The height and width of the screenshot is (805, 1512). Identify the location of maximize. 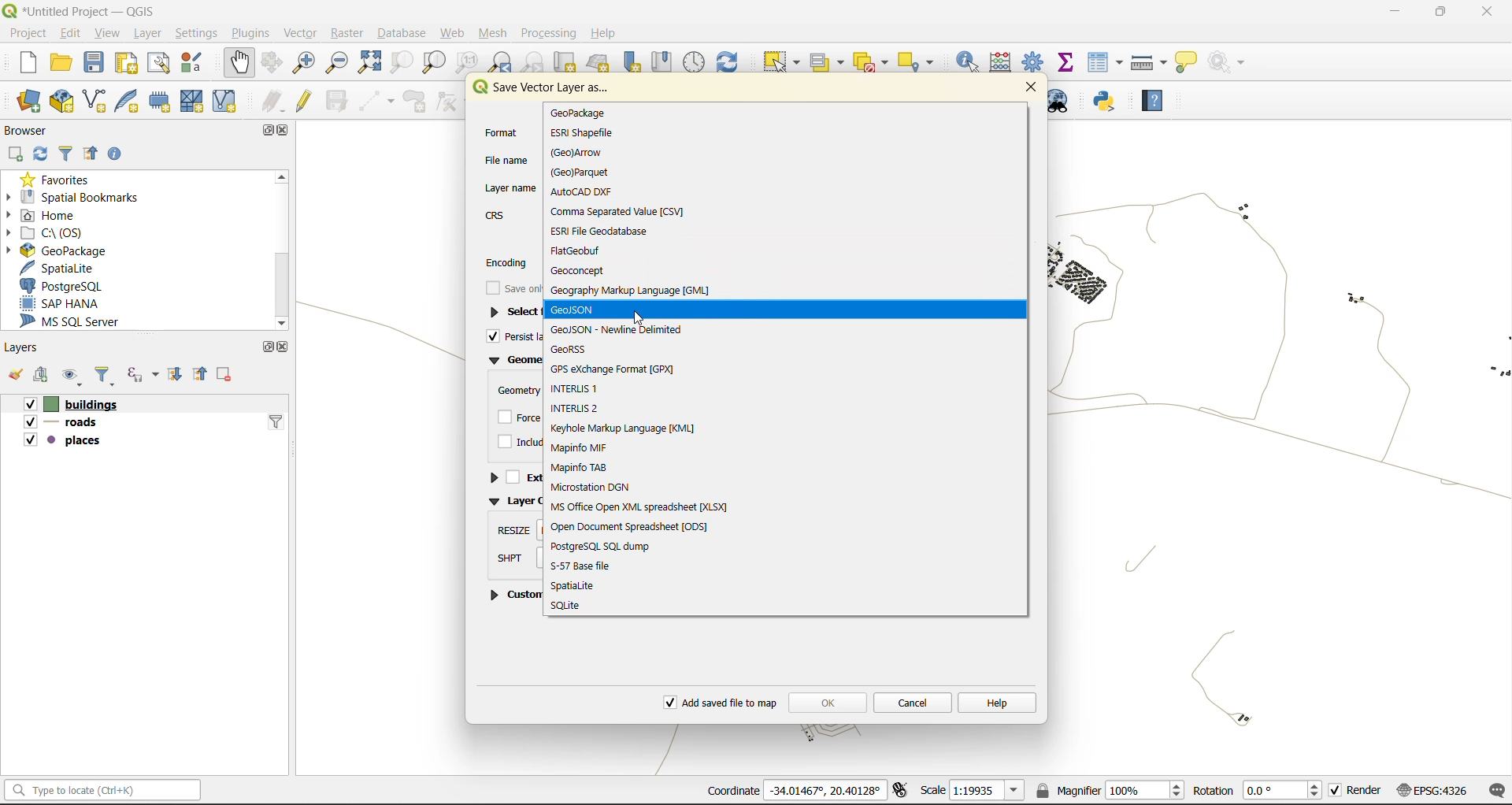
(273, 129).